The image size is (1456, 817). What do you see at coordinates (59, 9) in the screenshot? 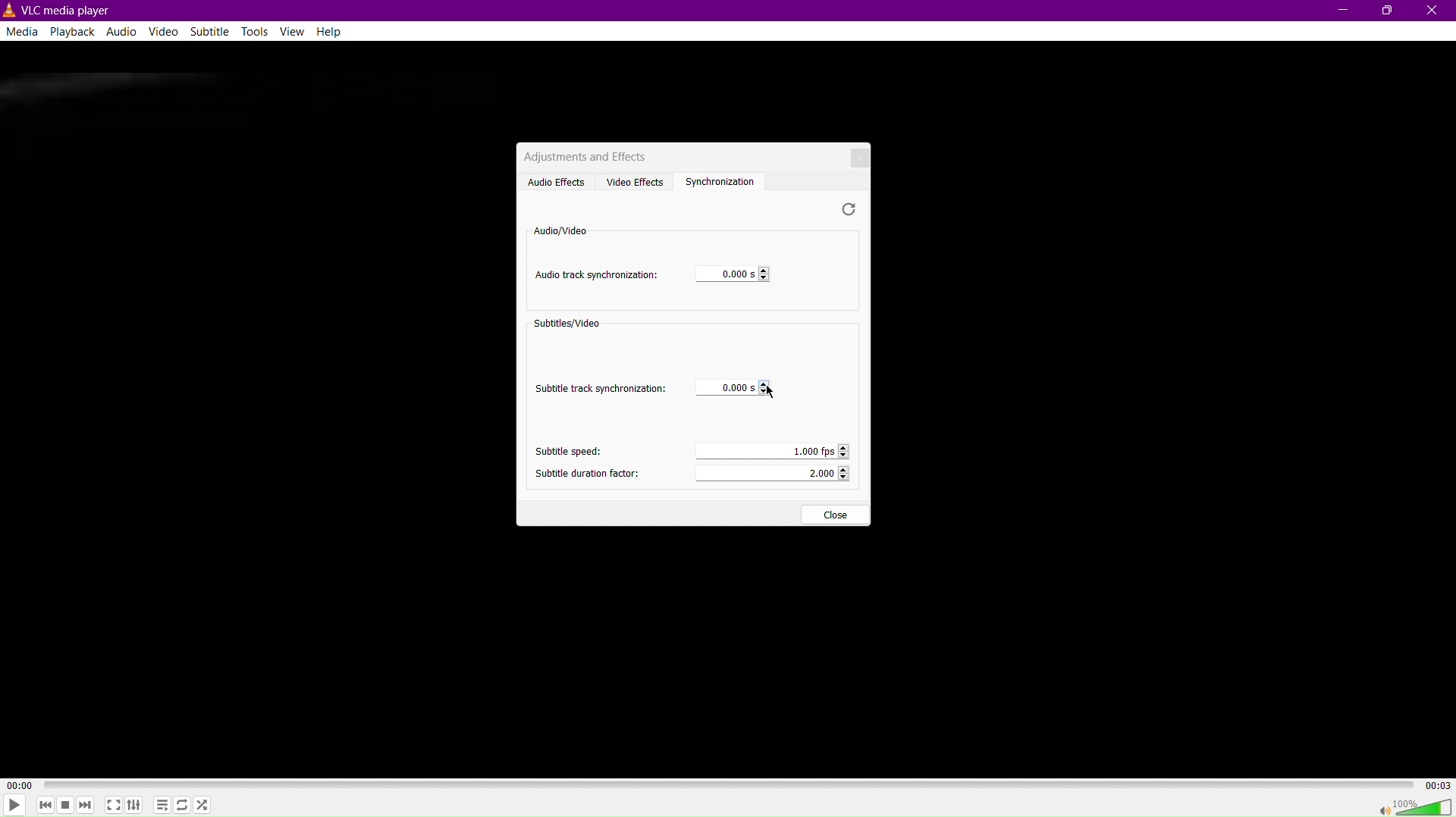
I see `VLC Media player` at bounding box center [59, 9].